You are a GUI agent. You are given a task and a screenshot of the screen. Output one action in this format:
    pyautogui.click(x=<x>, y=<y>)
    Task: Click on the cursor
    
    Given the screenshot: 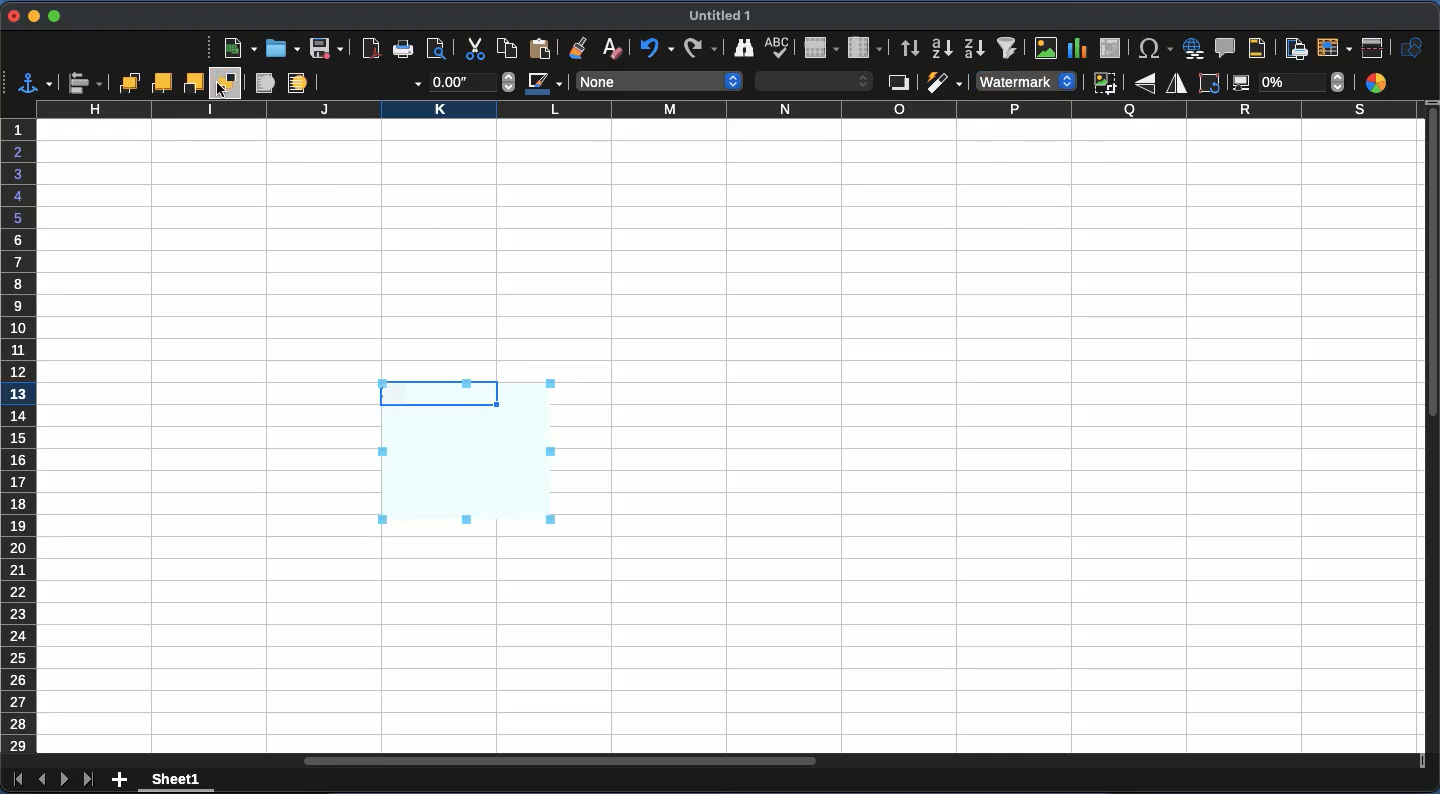 What is the action you would take?
    pyautogui.click(x=223, y=94)
    